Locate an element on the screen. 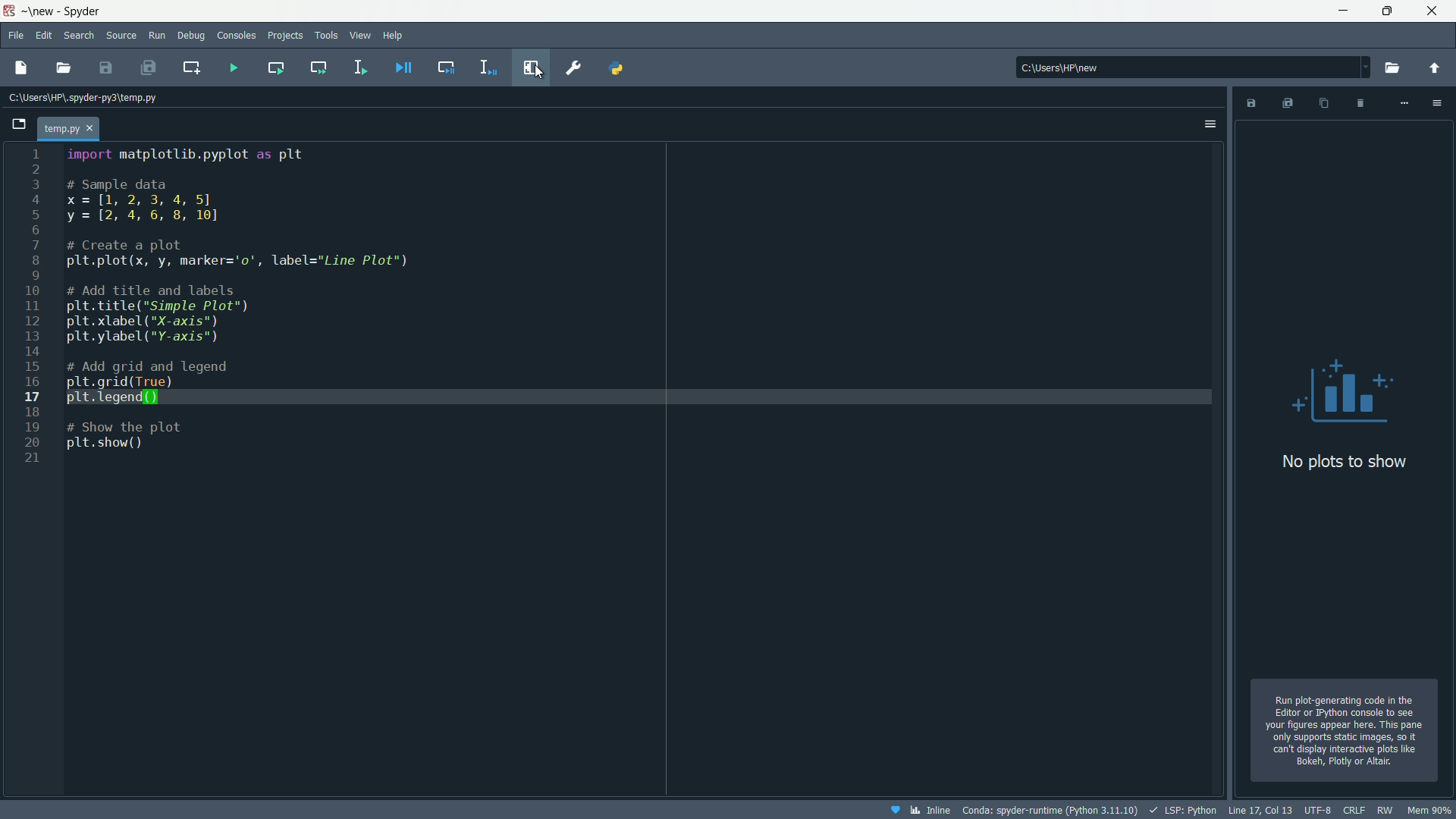  cursor is located at coordinates (539, 73).